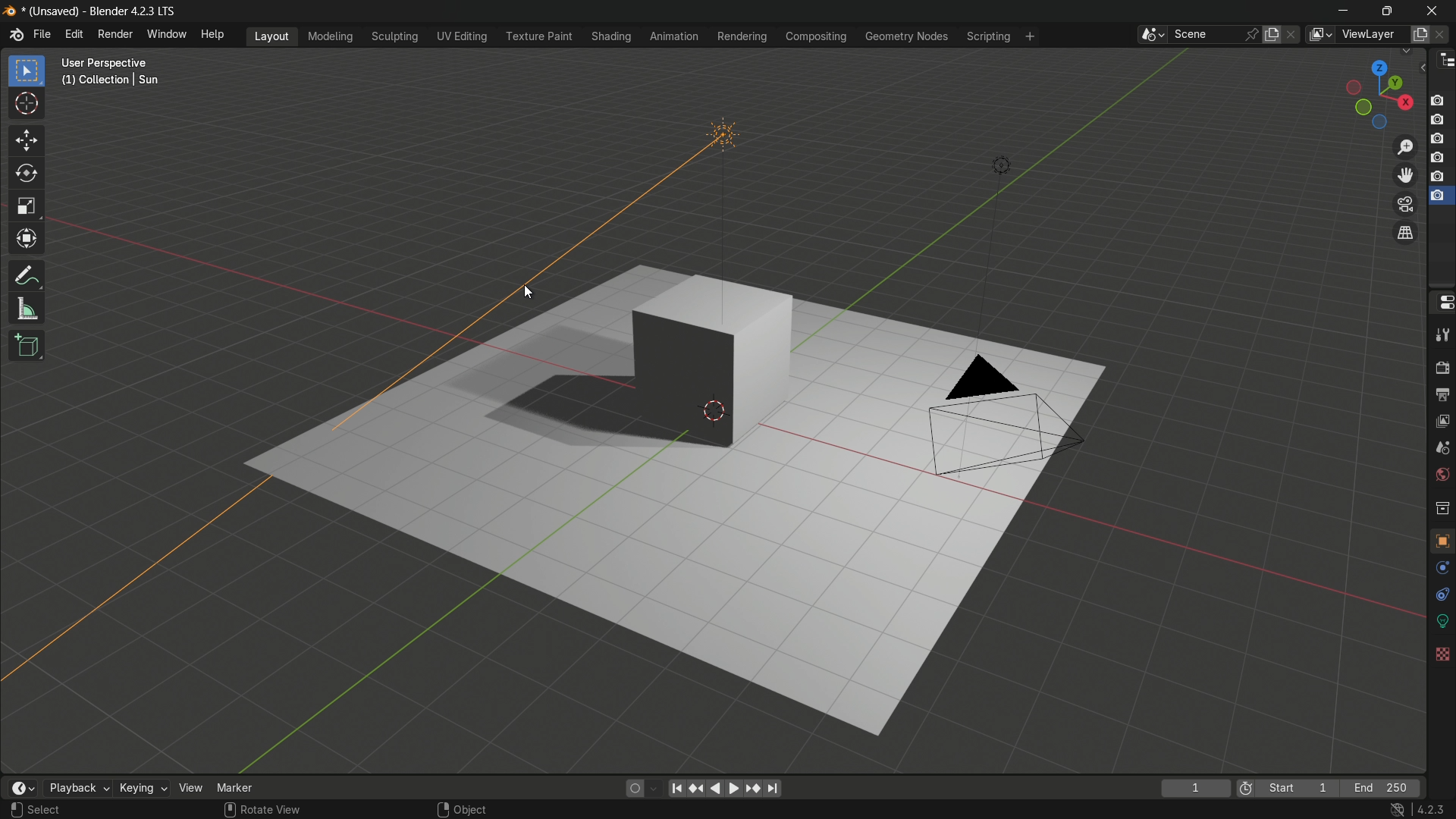 The width and height of the screenshot is (1456, 819). Describe the element at coordinates (1436, 118) in the screenshot. I see `layer 2` at that location.